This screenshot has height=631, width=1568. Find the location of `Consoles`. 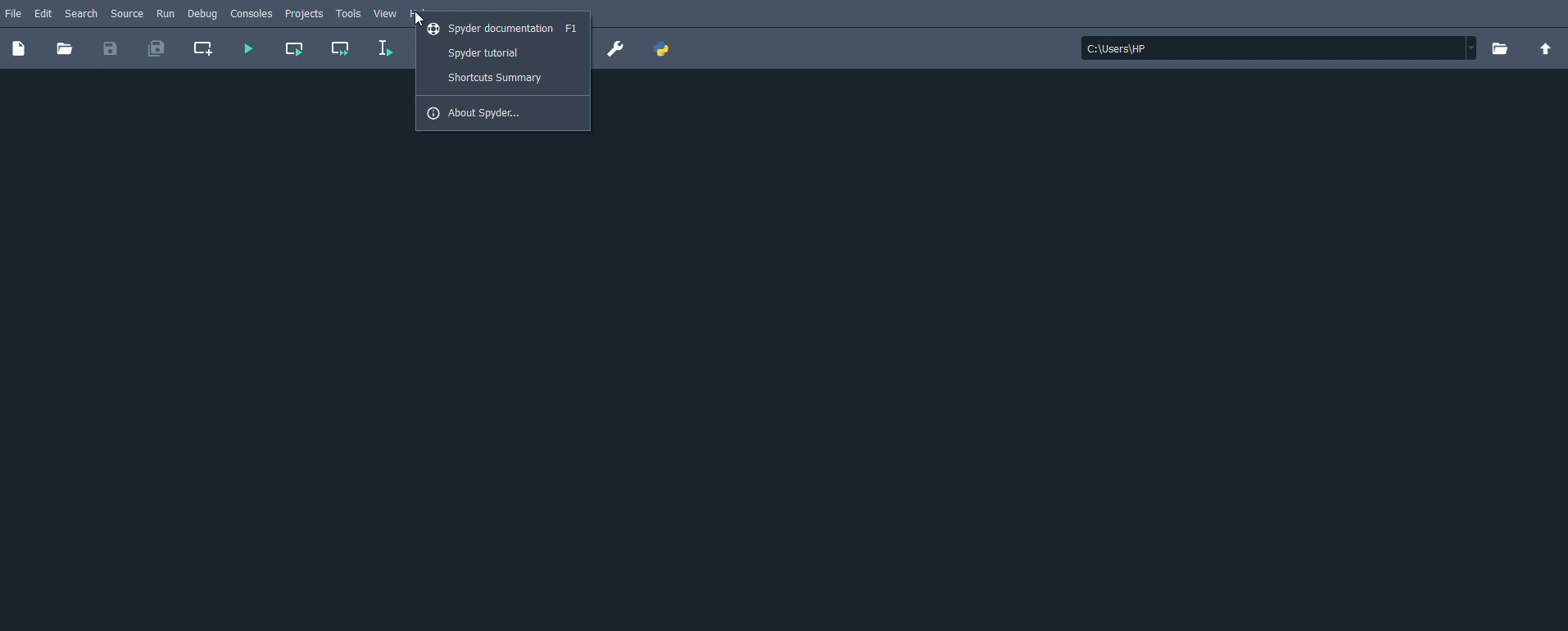

Consoles is located at coordinates (252, 15).